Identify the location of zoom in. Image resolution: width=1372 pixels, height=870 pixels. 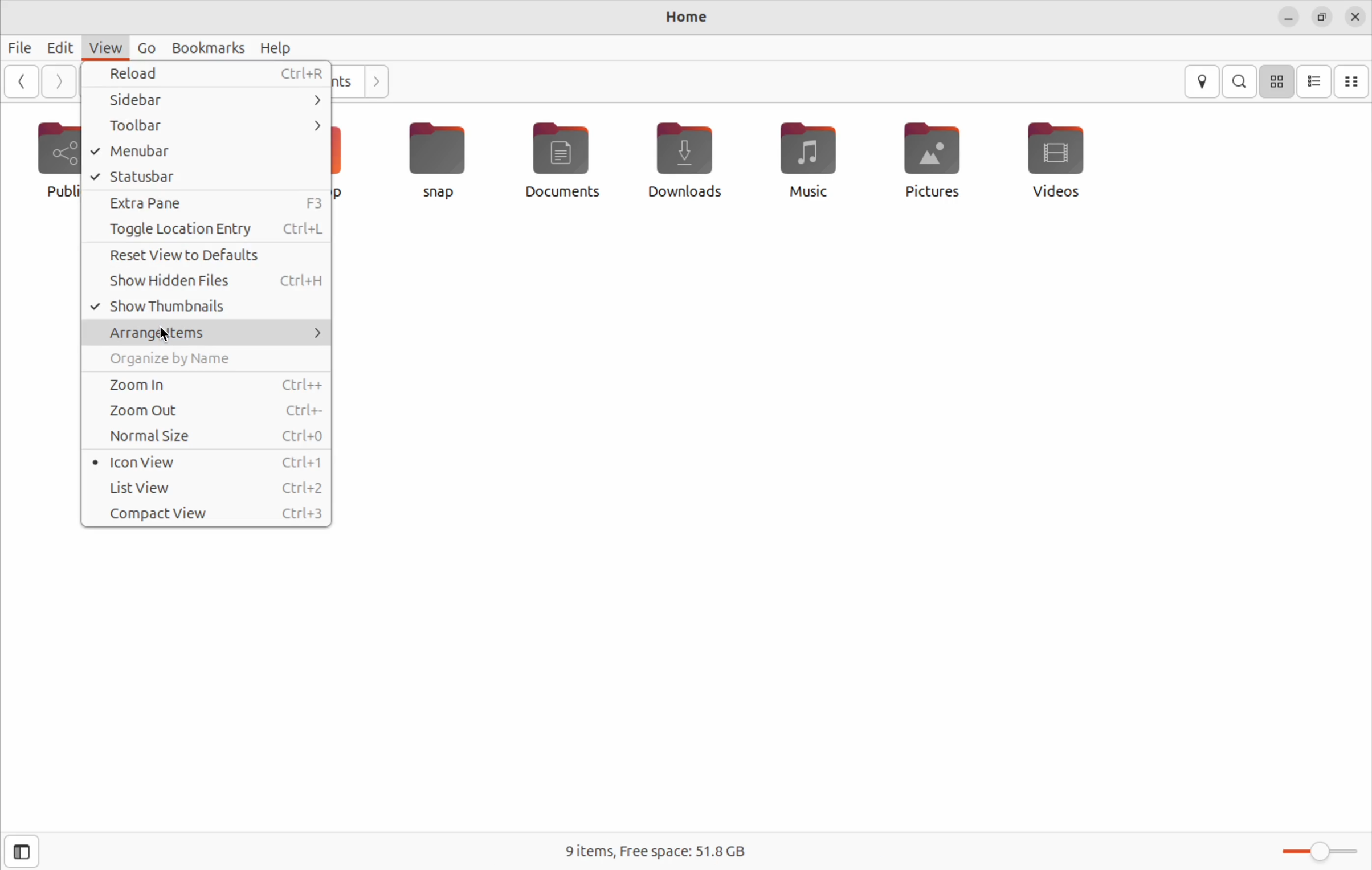
(207, 385).